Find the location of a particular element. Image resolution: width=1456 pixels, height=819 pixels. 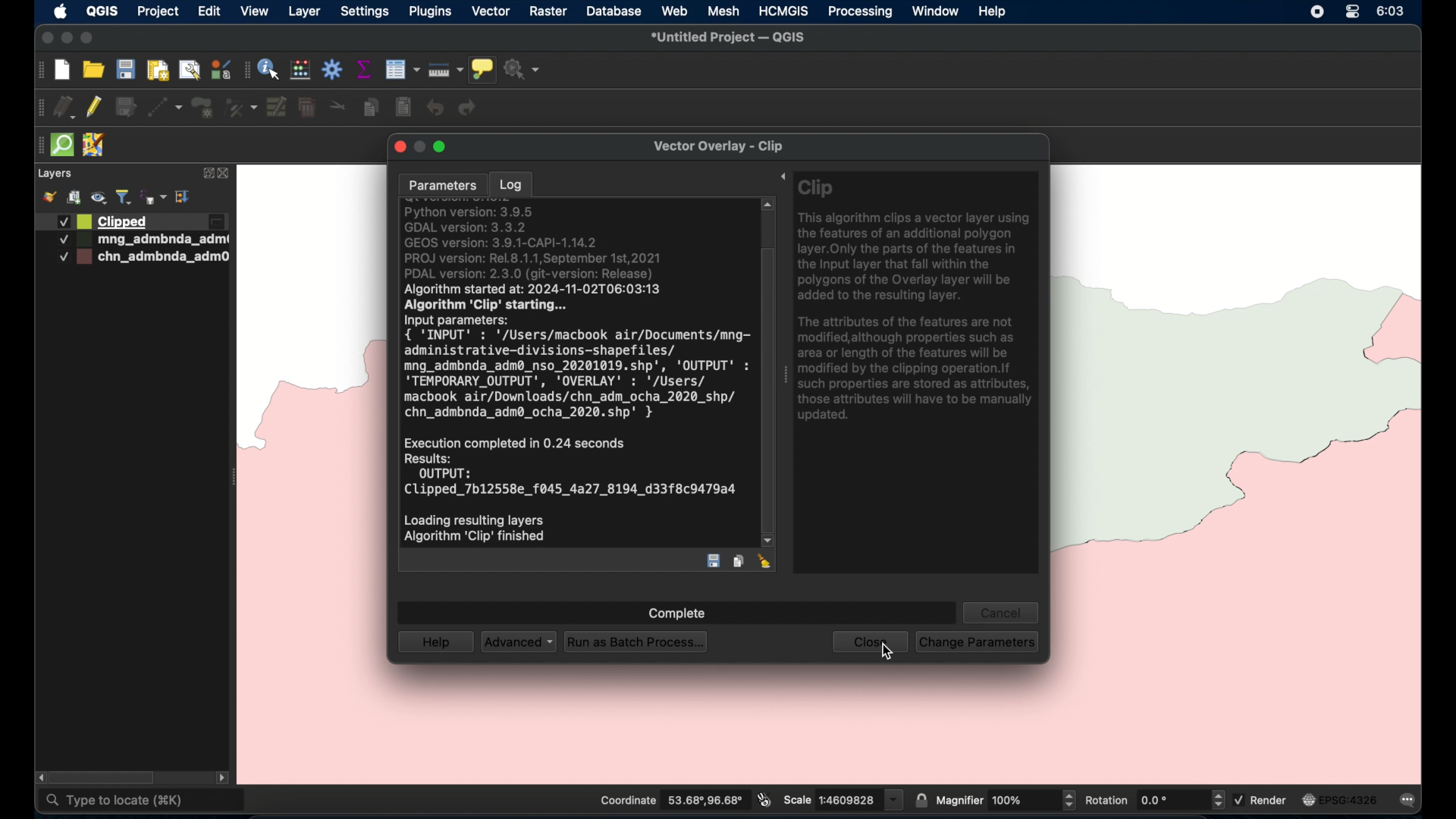

scale is located at coordinates (843, 799).